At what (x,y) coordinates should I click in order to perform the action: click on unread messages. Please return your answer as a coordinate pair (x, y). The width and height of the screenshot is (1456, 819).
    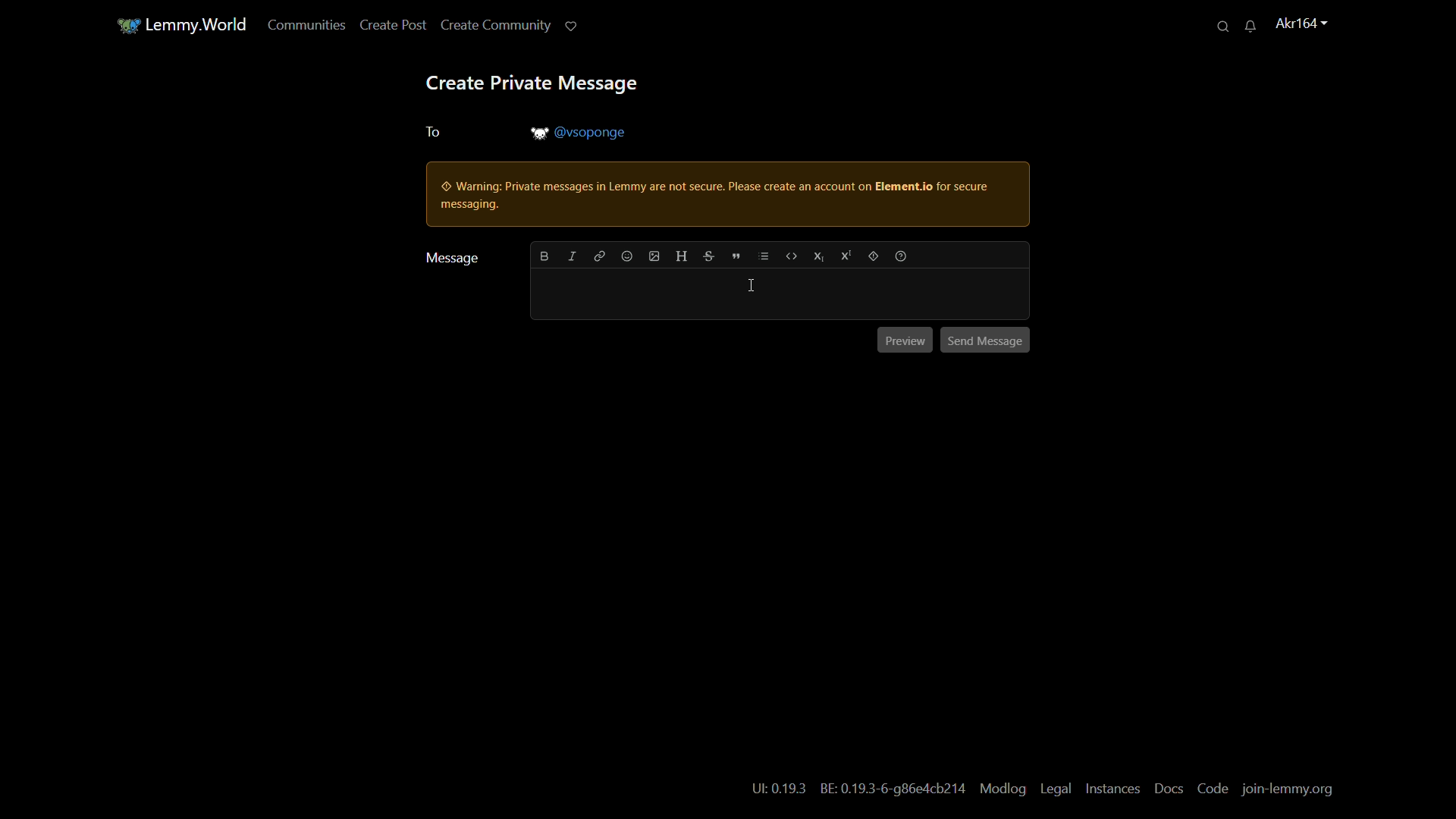
    Looking at the image, I should click on (1244, 25).